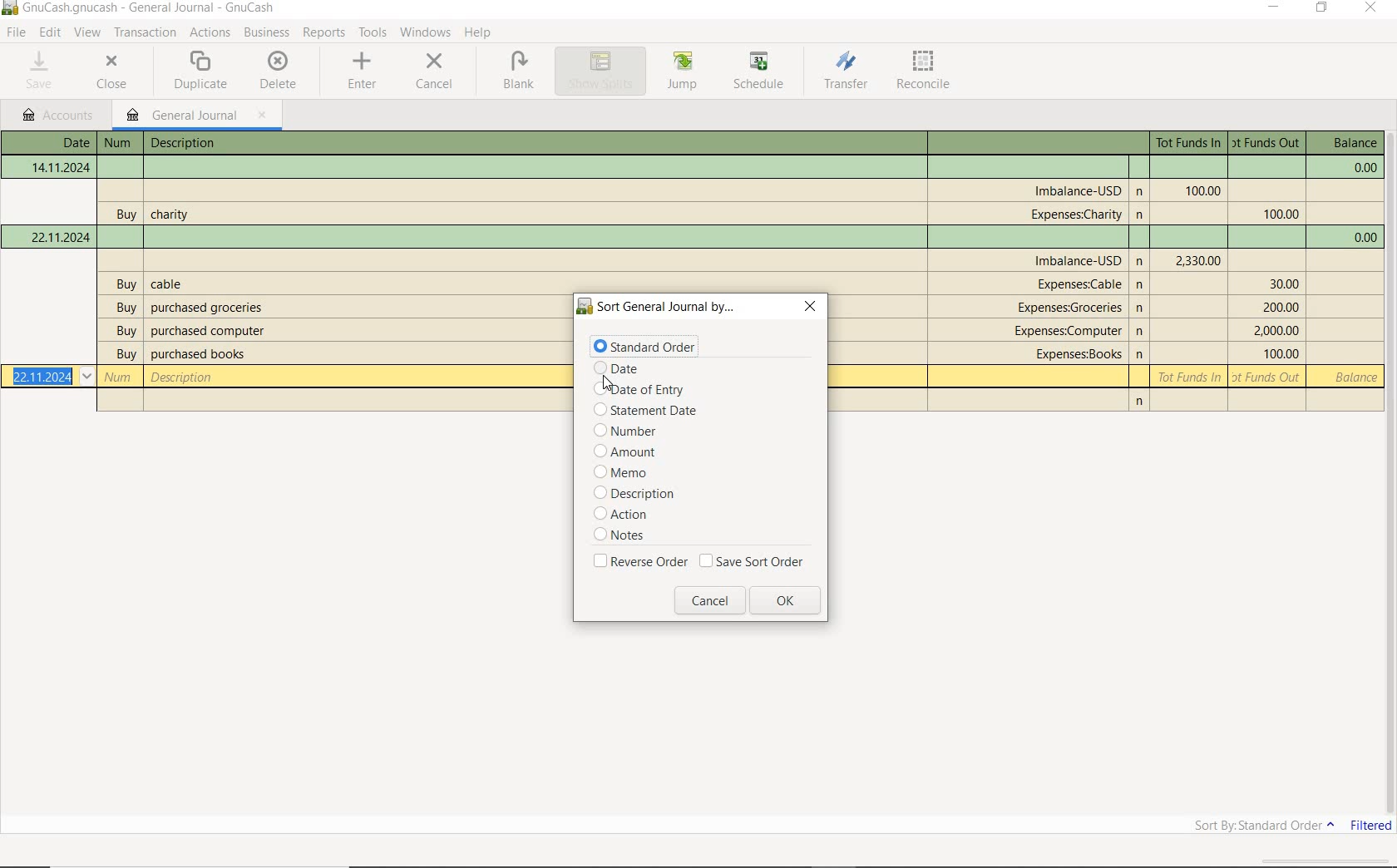  Describe the element at coordinates (1279, 354) in the screenshot. I see `Tot Funds Out` at that location.